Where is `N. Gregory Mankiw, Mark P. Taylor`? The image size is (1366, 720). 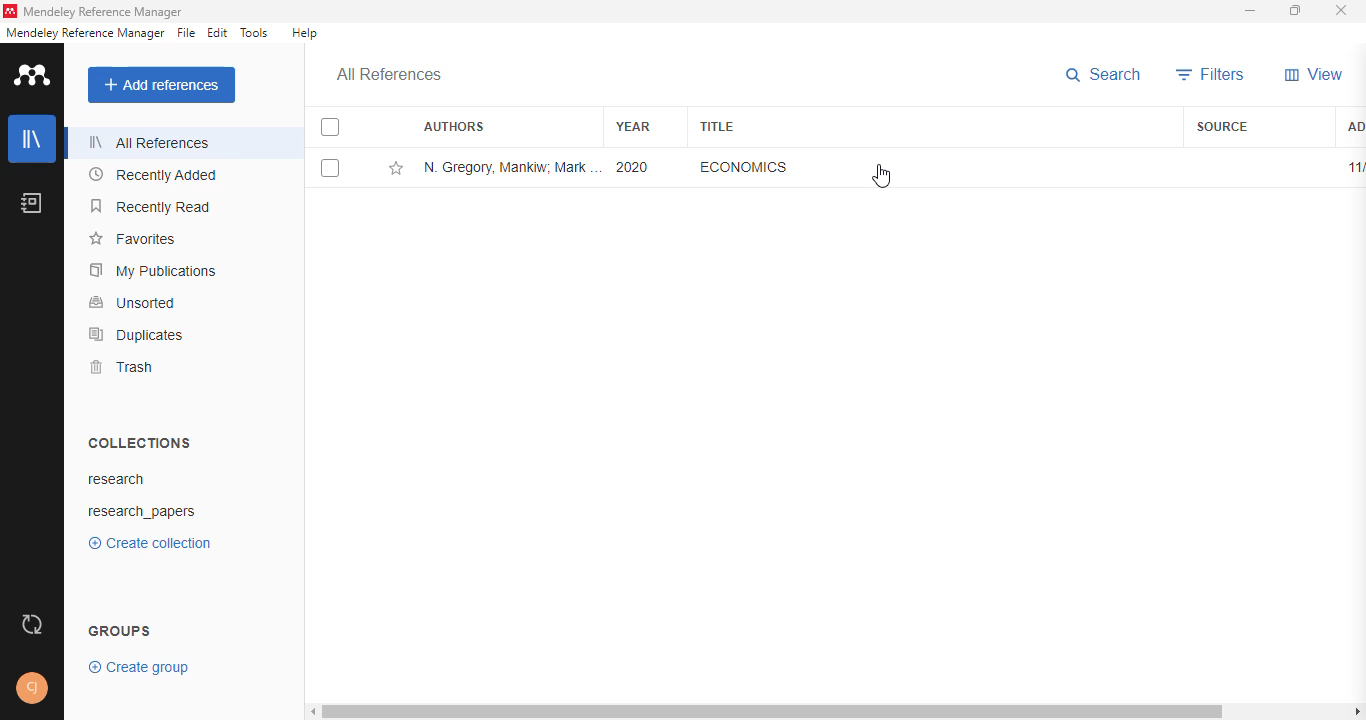 N. Gregory Mankiw, Mark P. Taylor is located at coordinates (513, 166).